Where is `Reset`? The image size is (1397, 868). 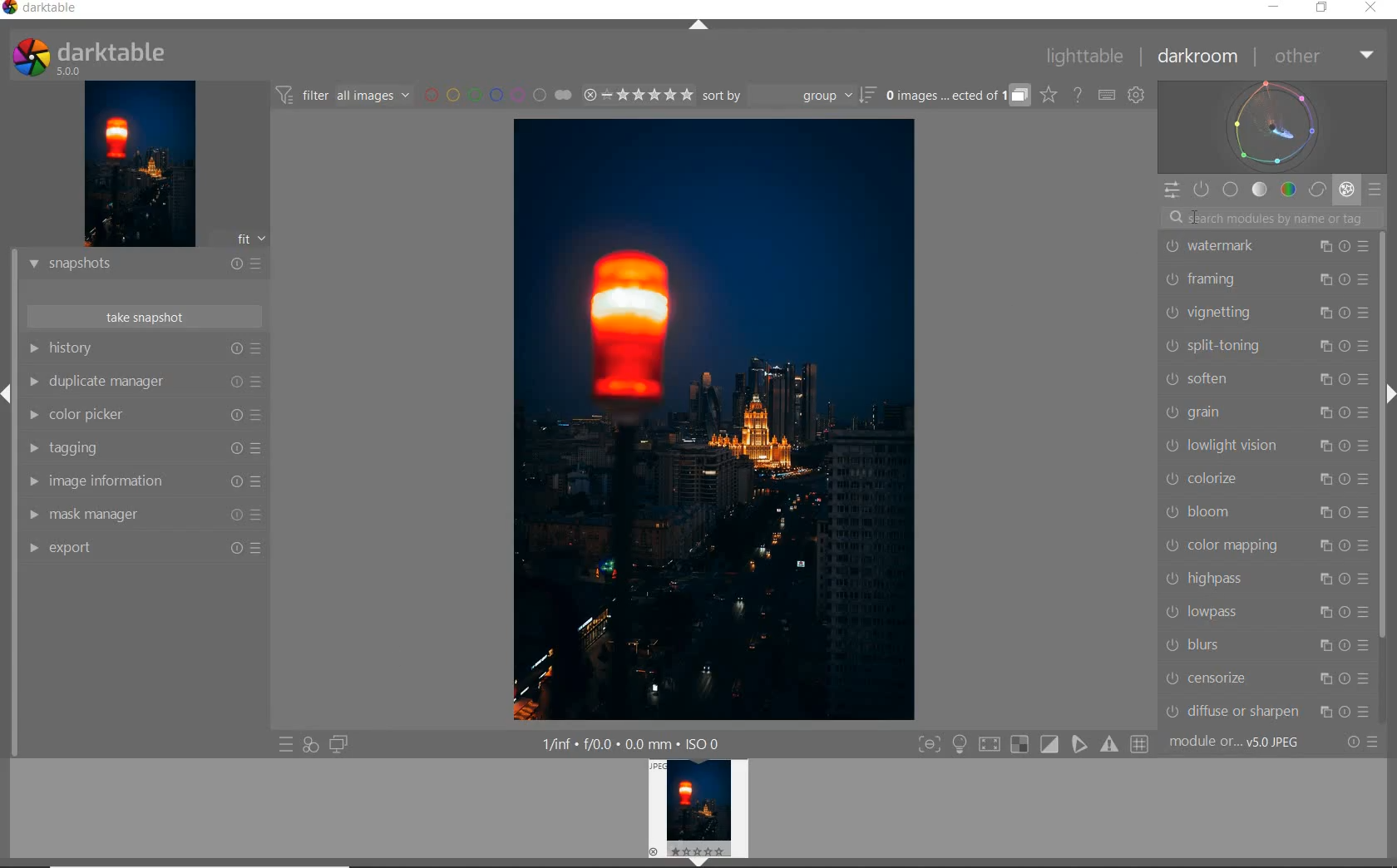
Reset is located at coordinates (1344, 344).